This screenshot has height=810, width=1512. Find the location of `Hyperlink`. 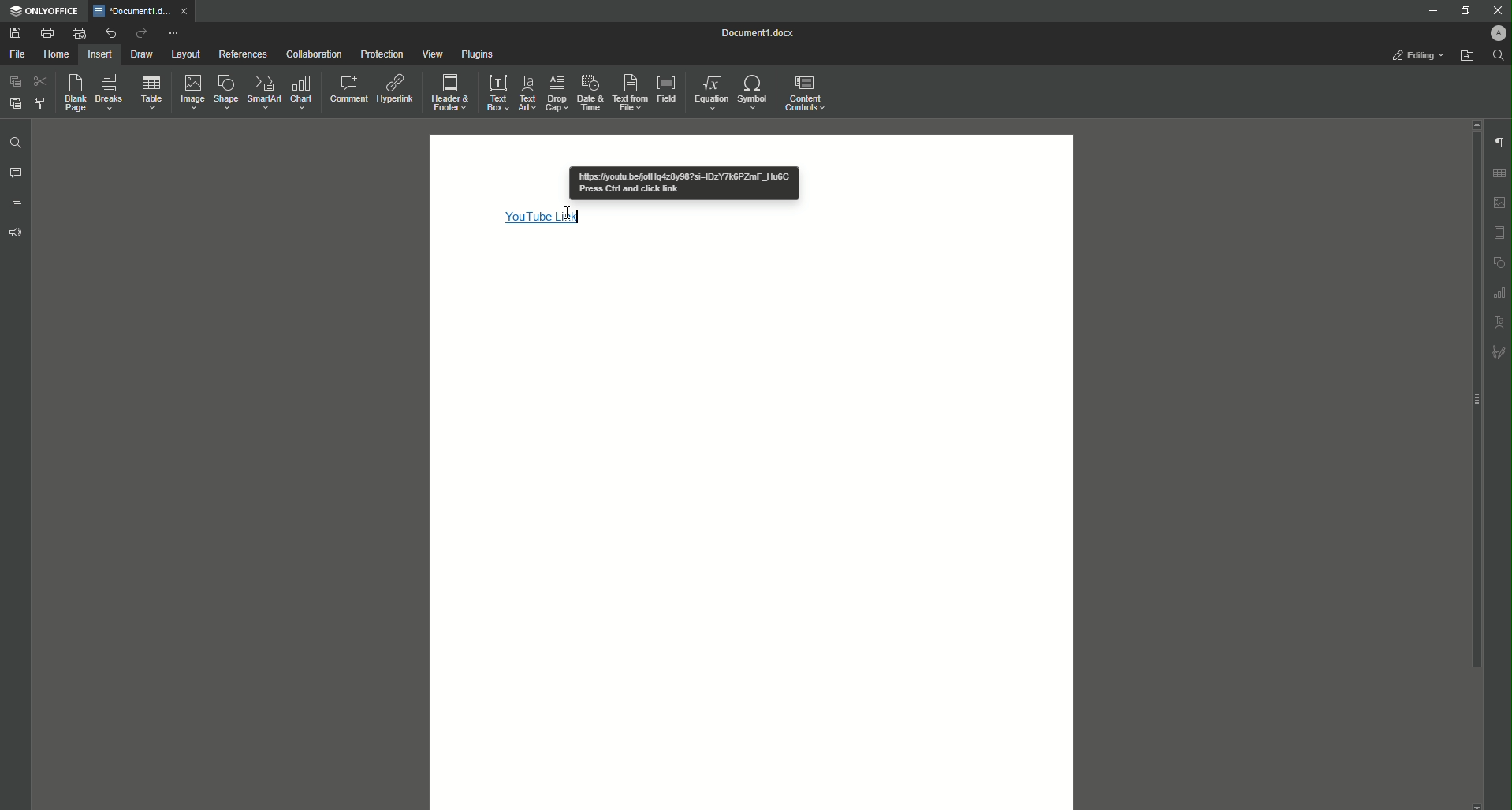

Hyperlink is located at coordinates (393, 91).